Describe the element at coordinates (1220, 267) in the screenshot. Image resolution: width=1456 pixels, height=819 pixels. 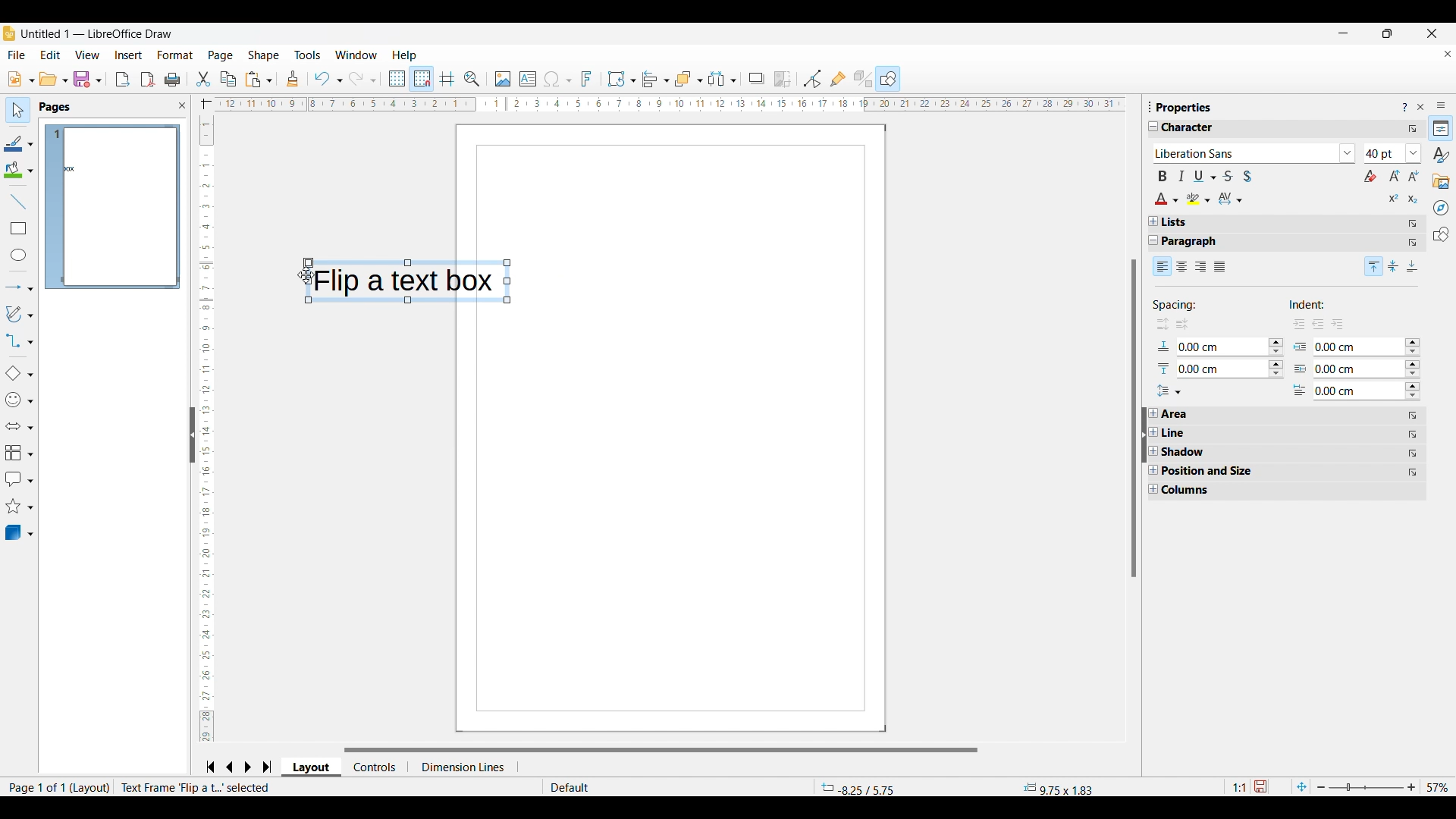
I see `Justified alignment` at that location.